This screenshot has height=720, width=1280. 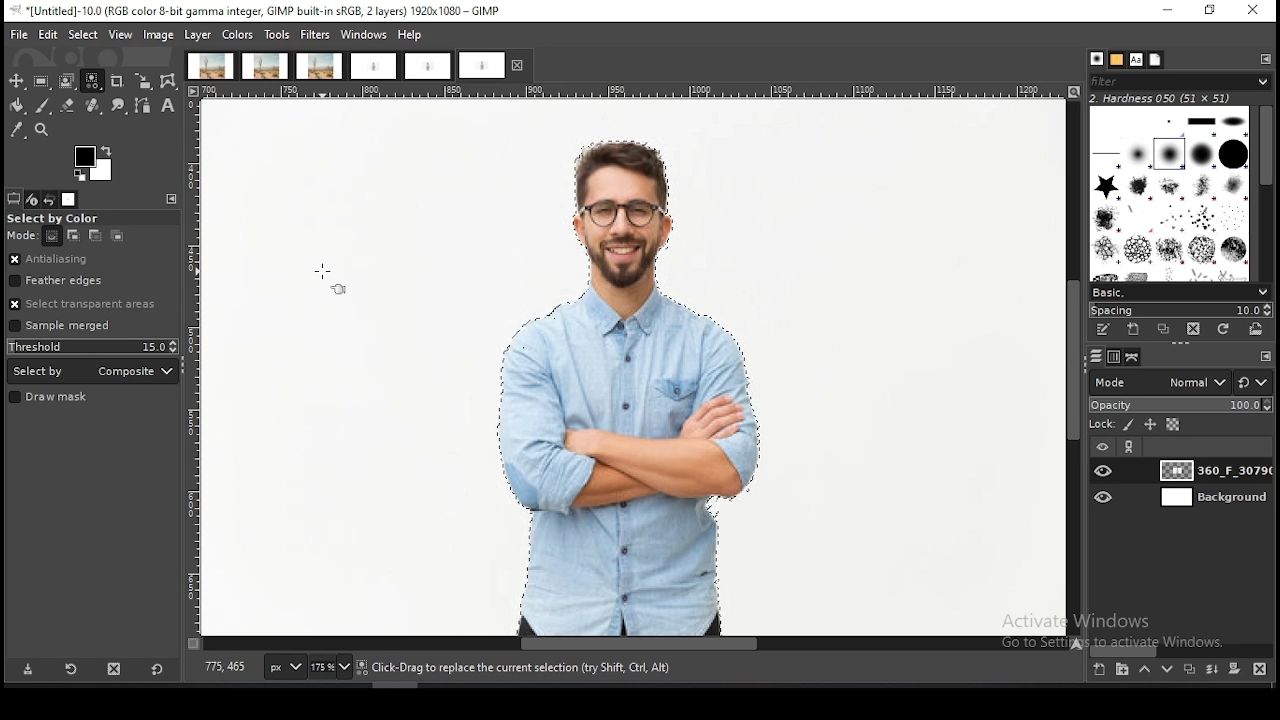 I want to click on eraser tool, so click(x=68, y=105).